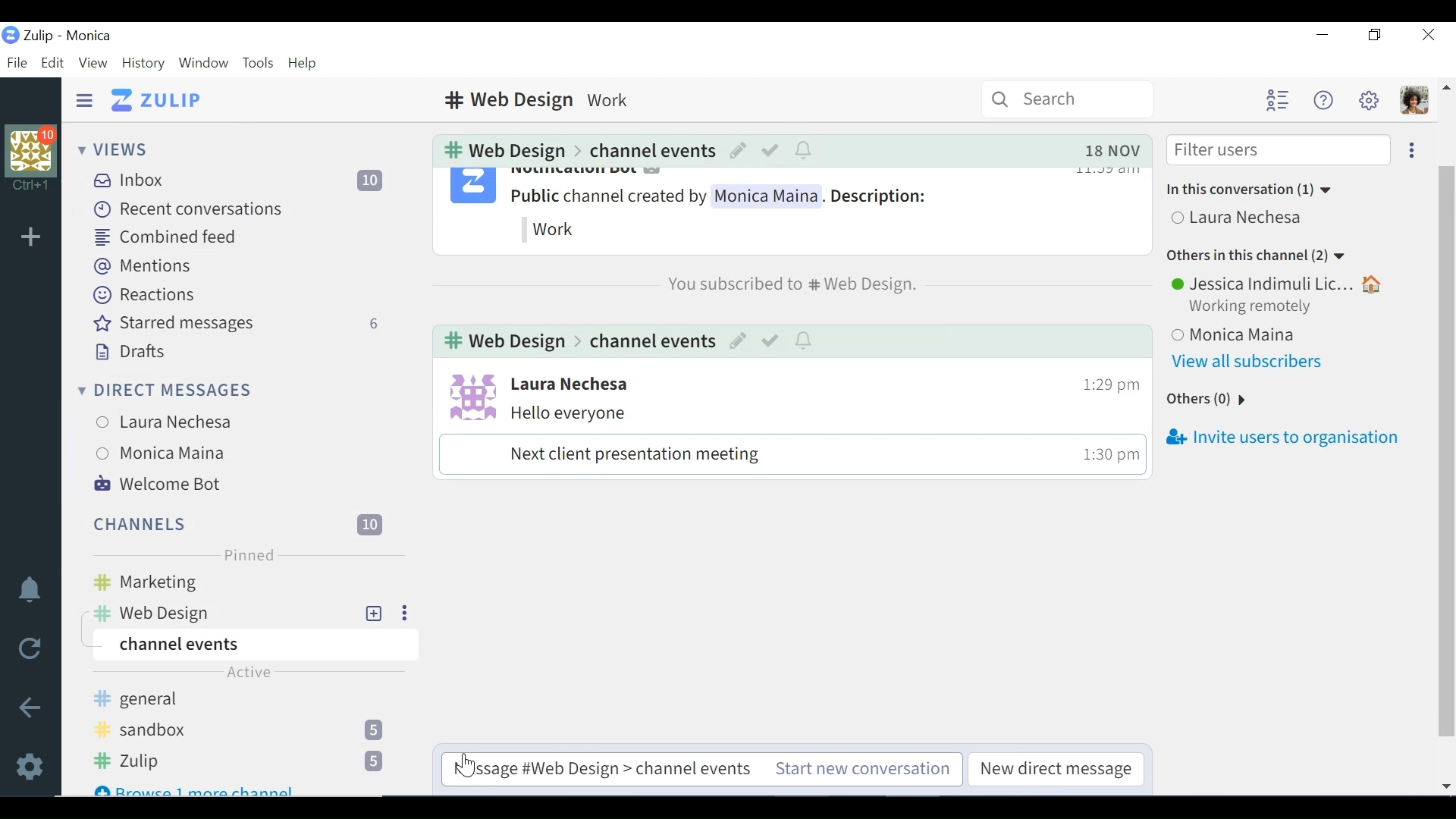 The height and width of the screenshot is (819, 1456). Describe the element at coordinates (789, 284) in the screenshot. I see `You subscribed to web design channel - notification` at that location.